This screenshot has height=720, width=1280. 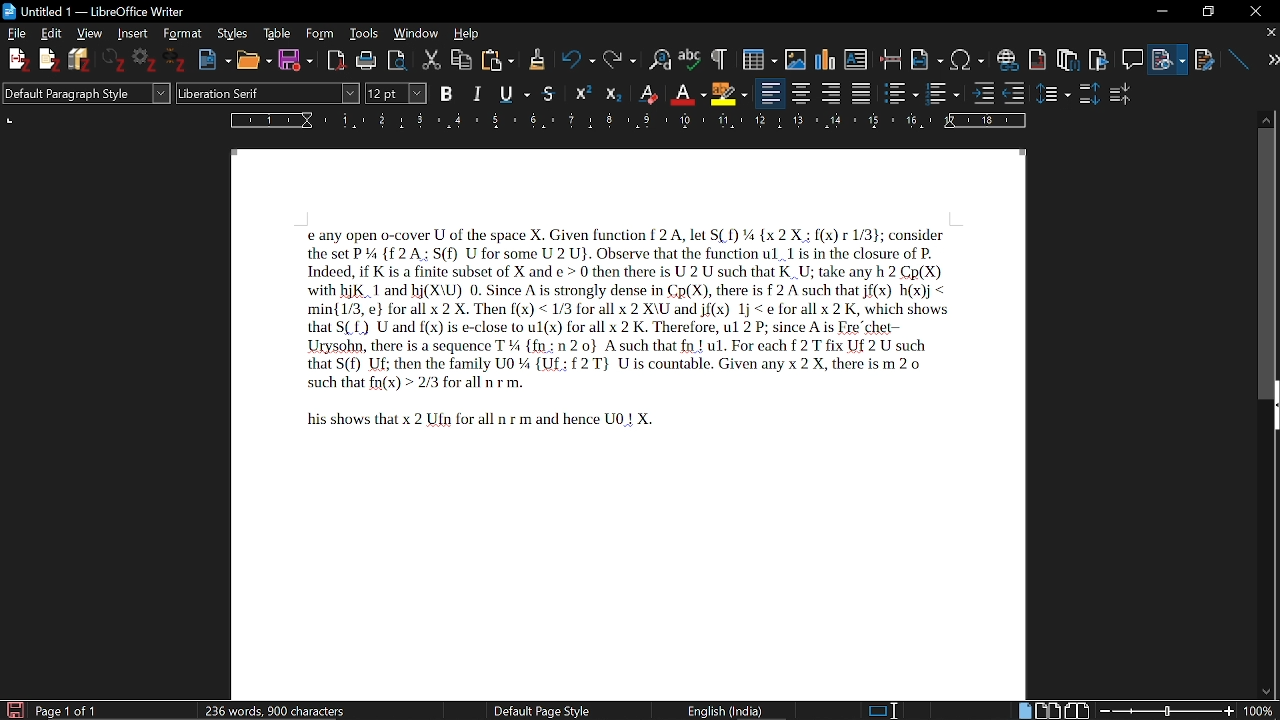 What do you see at coordinates (541, 710) in the screenshot?
I see `Default Page Style` at bounding box center [541, 710].